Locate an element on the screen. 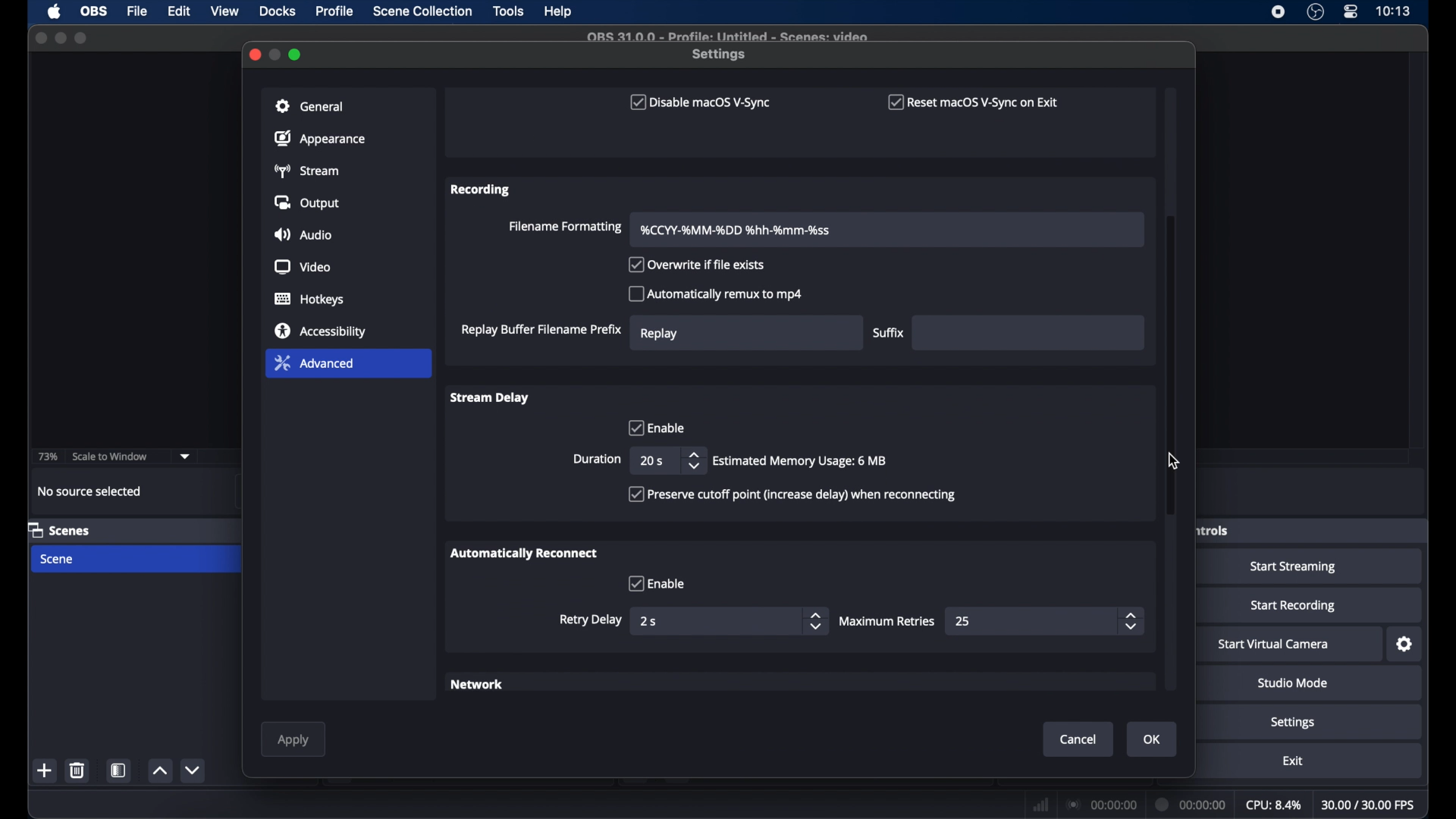  disable macOS V-sync is located at coordinates (698, 102).